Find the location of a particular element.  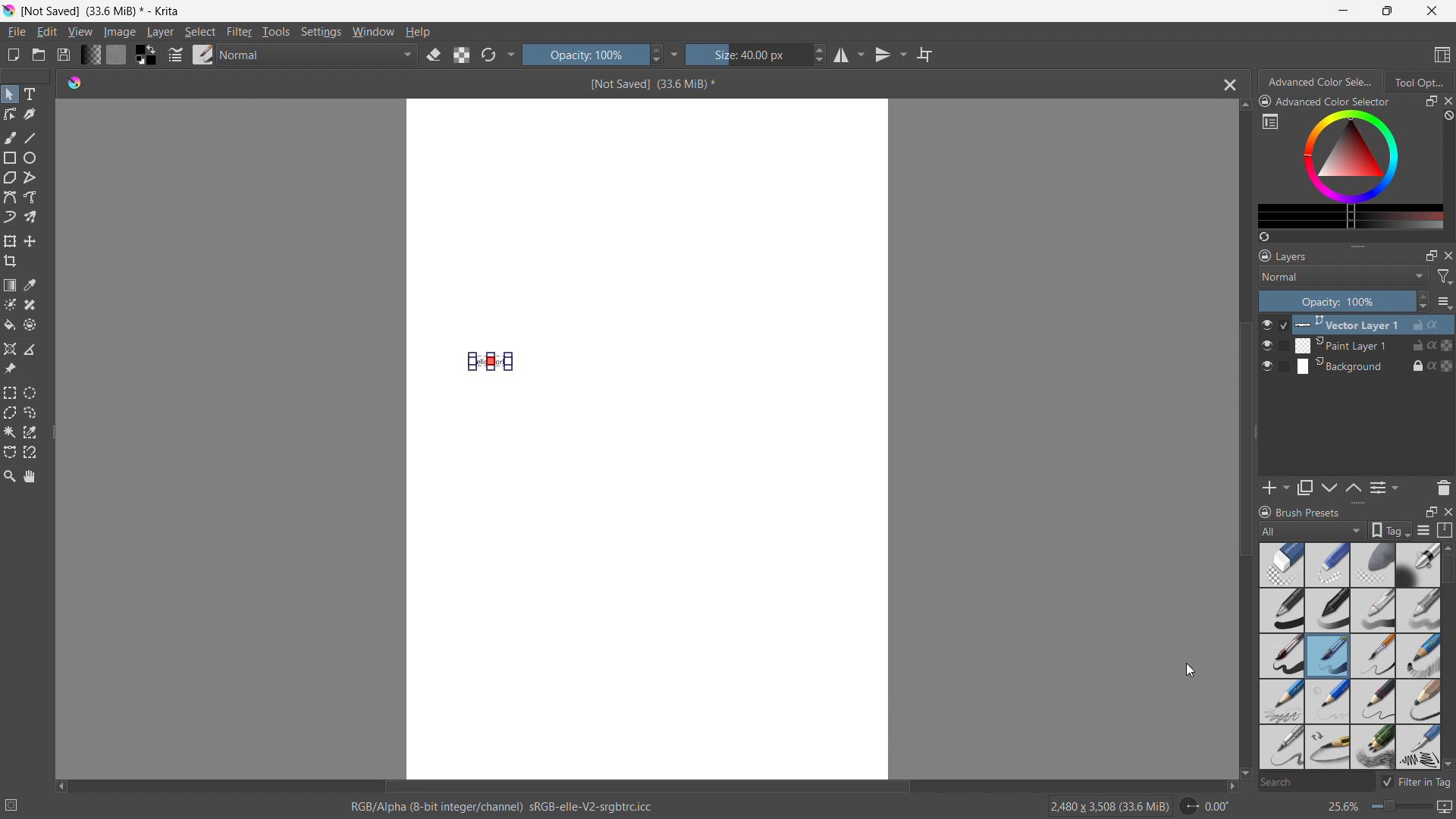

freehand path tool is located at coordinates (30, 197).